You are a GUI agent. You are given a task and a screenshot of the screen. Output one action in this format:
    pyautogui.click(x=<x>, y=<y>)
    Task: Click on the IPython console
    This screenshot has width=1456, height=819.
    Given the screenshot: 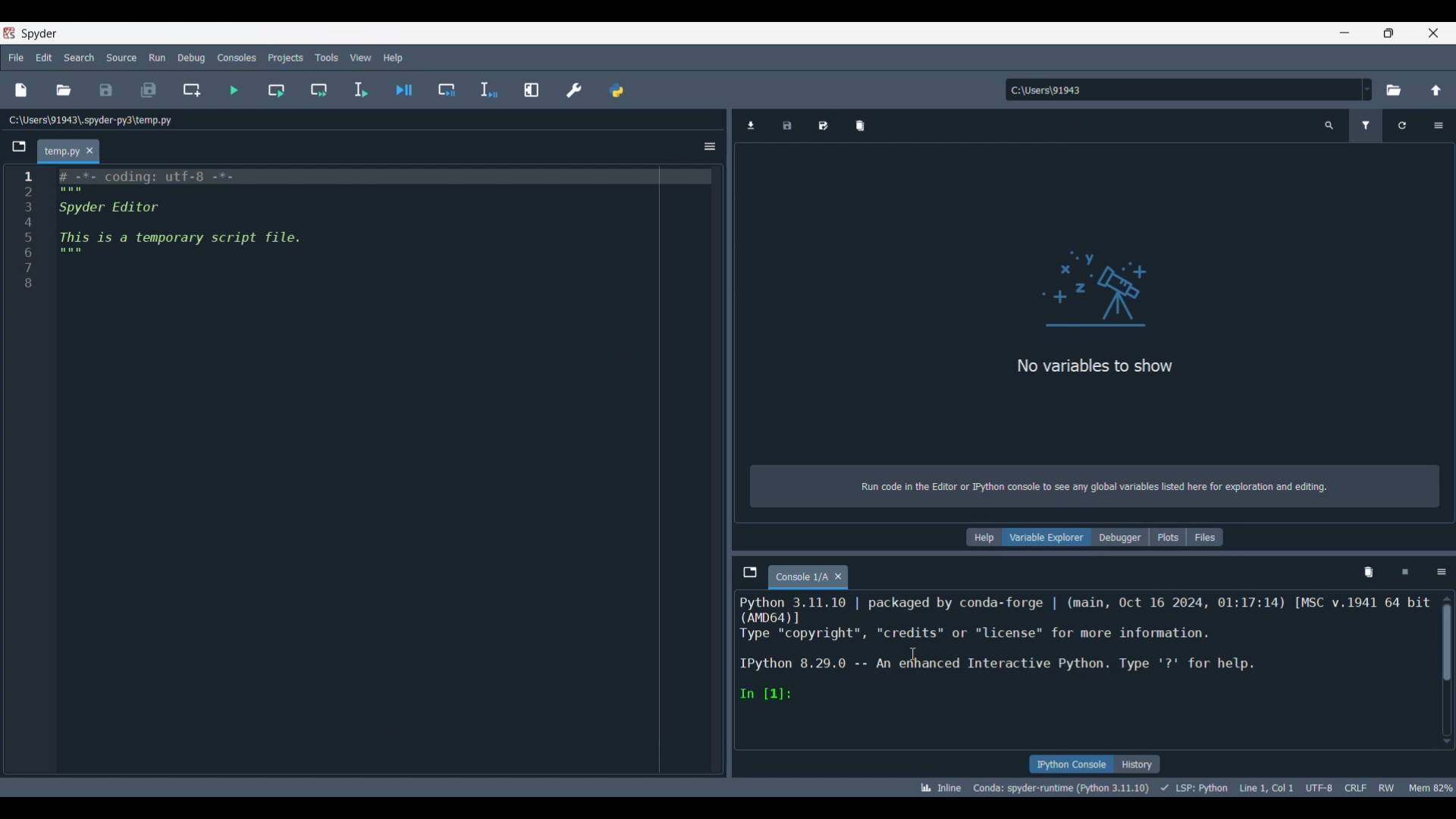 What is the action you would take?
    pyautogui.click(x=1072, y=764)
    